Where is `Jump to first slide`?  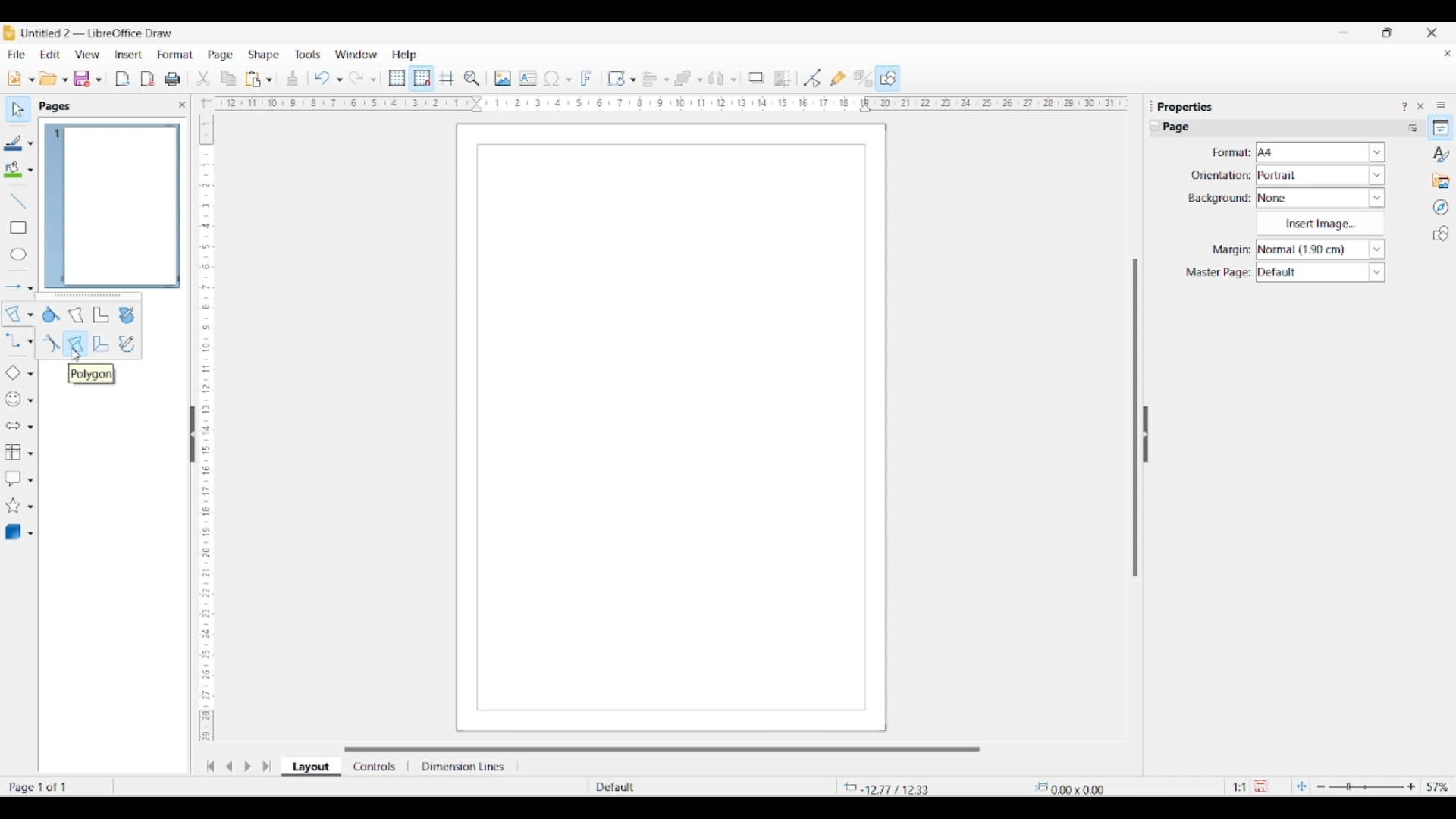
Jump to first slide is located at coordinates (210, 766).